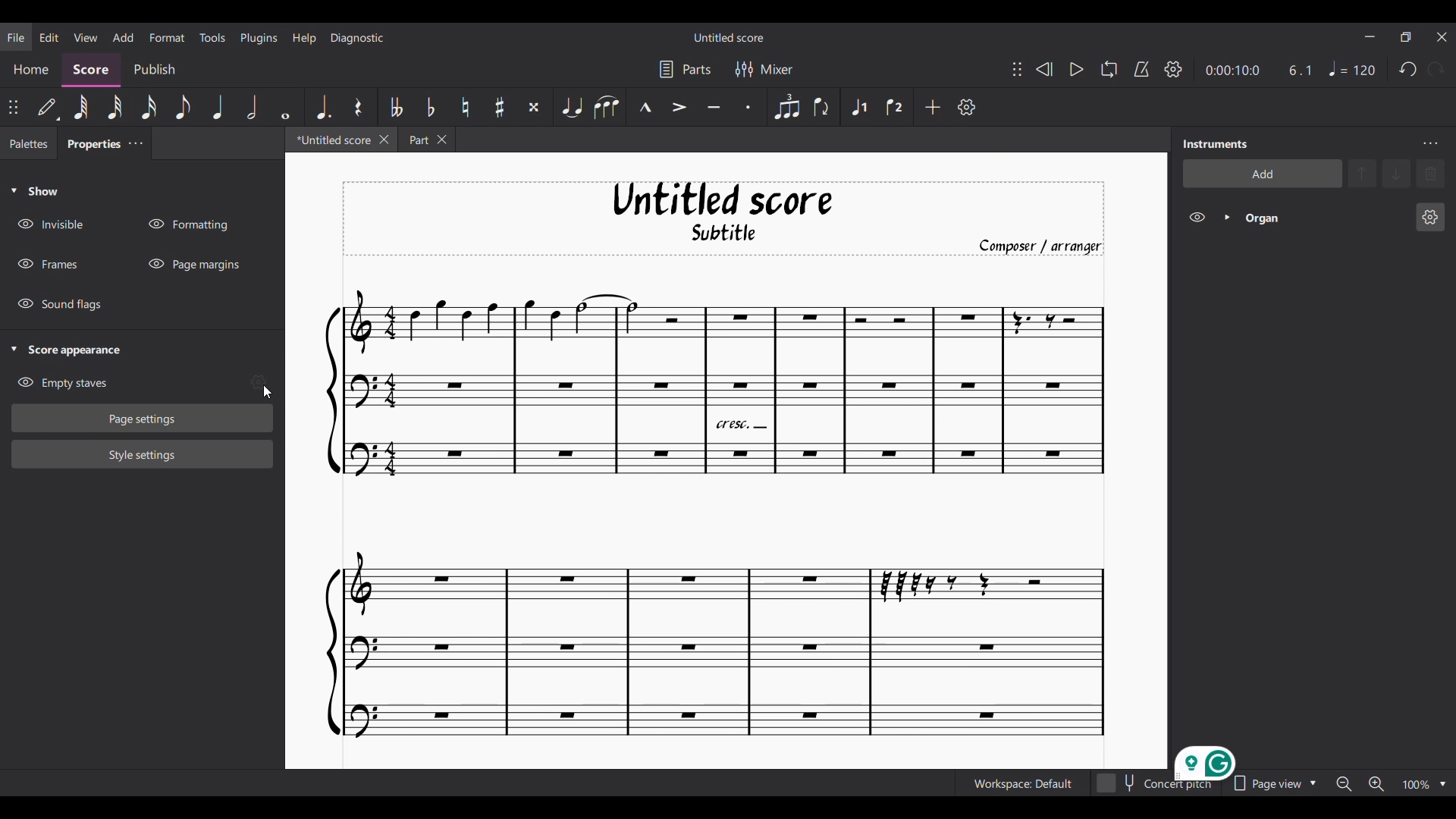 Image resolution: width=1456 pixels, height=819 pixels. Describe the element at coordinates (1313, 218) in the screenshot. I see `Highlighted after measure selection` at that location.